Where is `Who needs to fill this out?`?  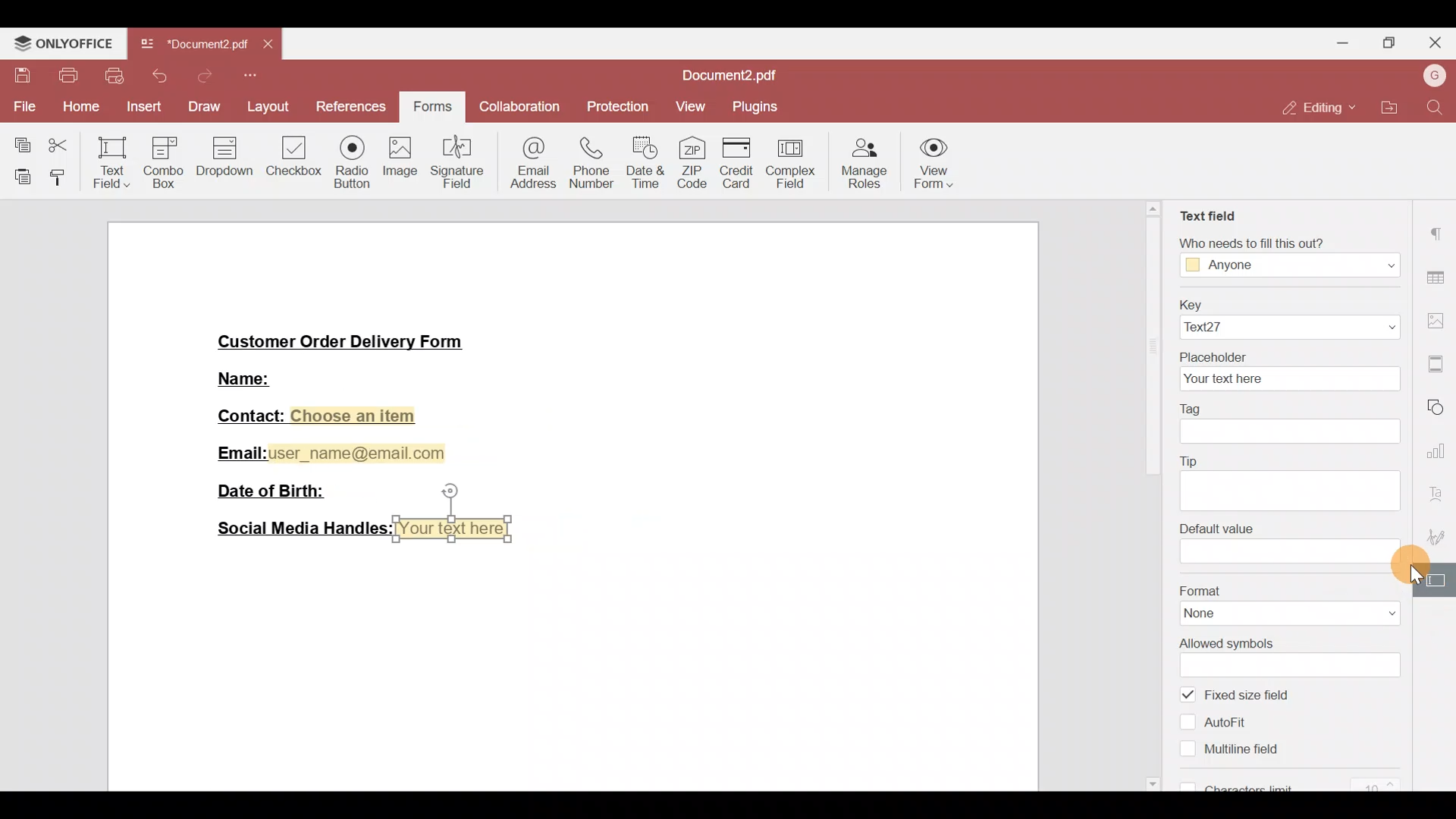
Who needs to fill this out? is located at coordinates (1286, 253).